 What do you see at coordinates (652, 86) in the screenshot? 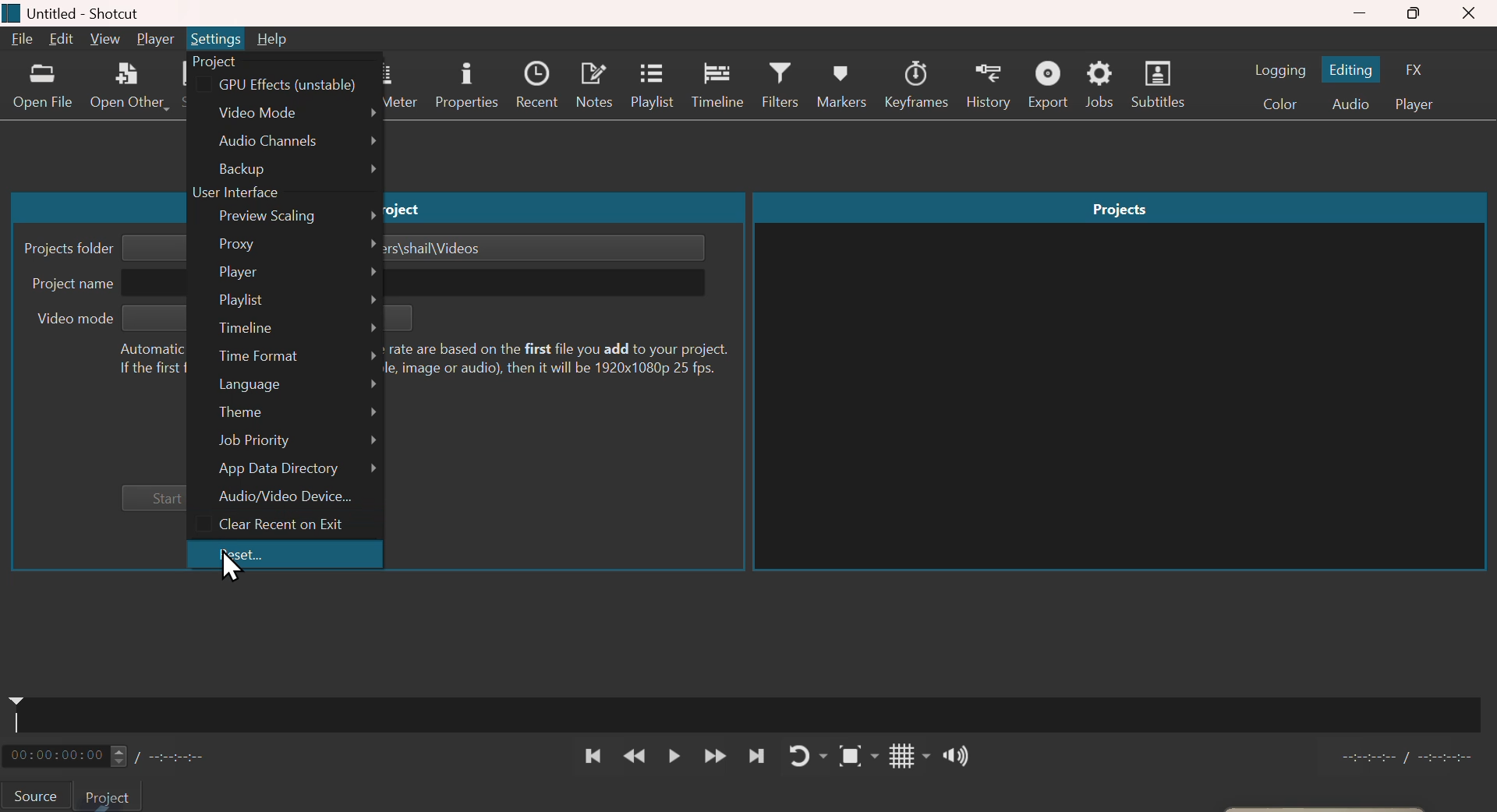
I see `Playlist` at bounding box center [652, 86].